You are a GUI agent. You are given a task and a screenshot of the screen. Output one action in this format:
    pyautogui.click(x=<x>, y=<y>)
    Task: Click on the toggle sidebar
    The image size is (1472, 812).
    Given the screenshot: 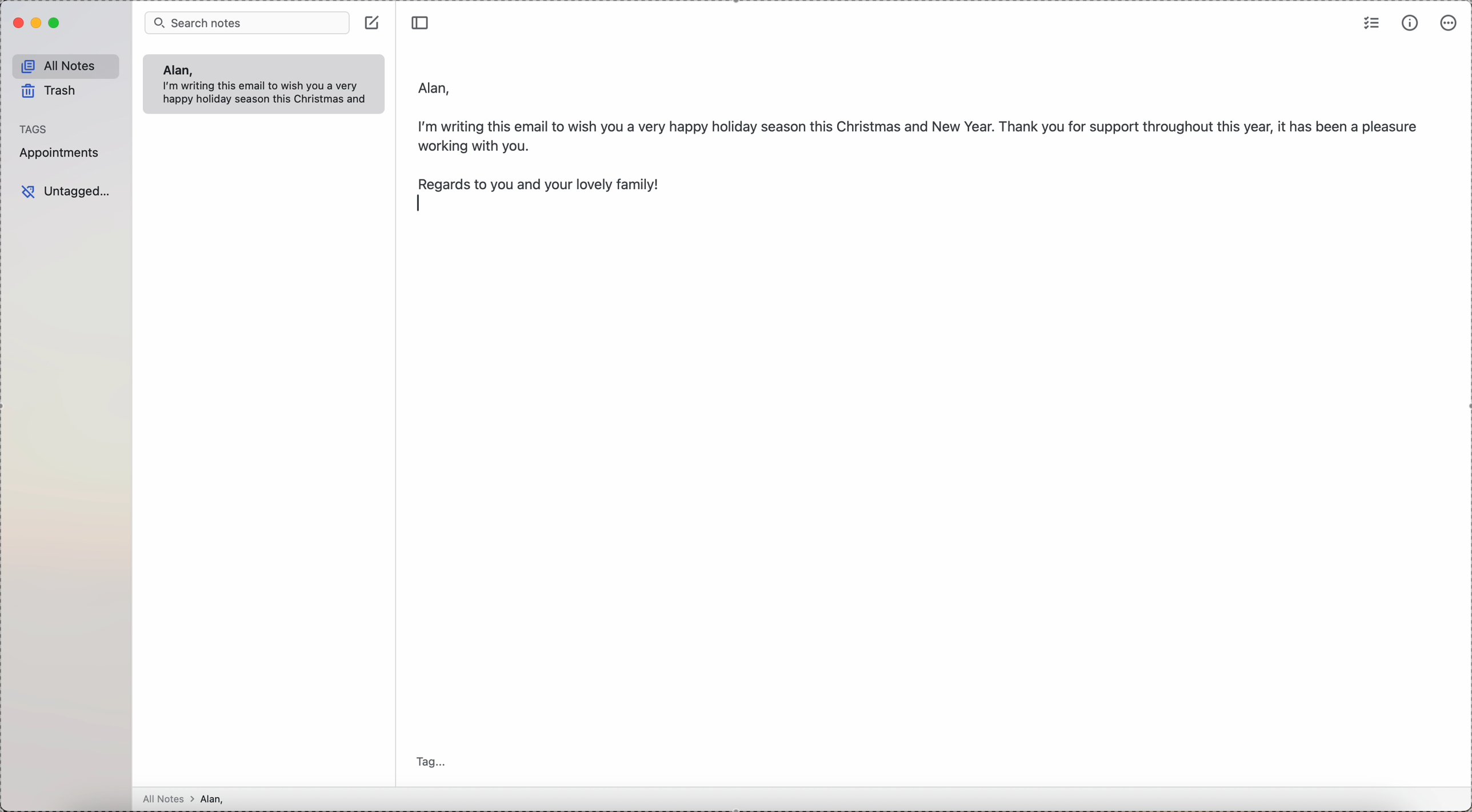 What is the action you would take?
    pyautogui.click(x=422, y=21)
    